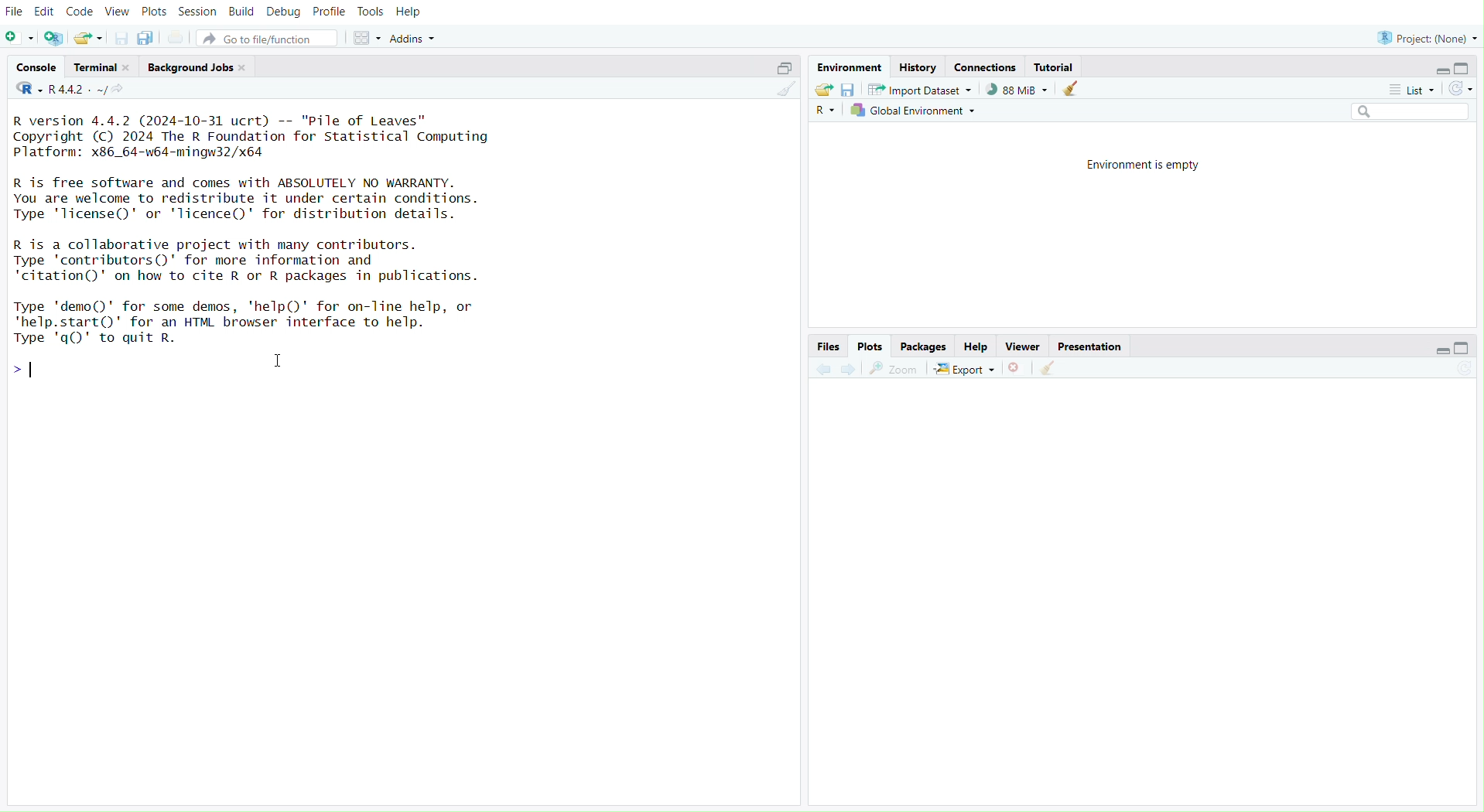 The height and width of the screenshot is (812, 1484). Describe the element at coordinates (923, 347) in the screenshot. I see `Packages` at that location.